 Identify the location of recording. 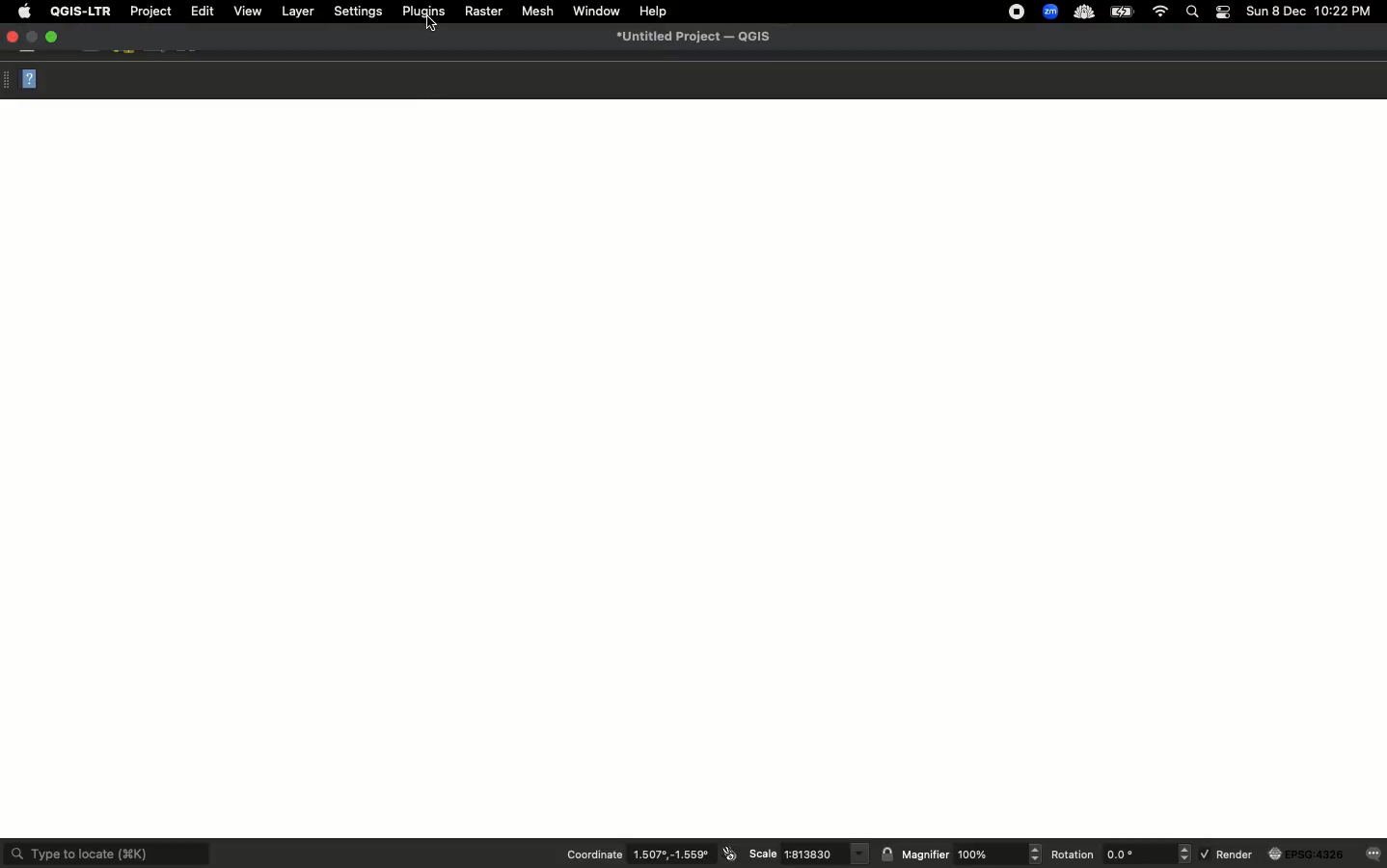
(1012, 12).